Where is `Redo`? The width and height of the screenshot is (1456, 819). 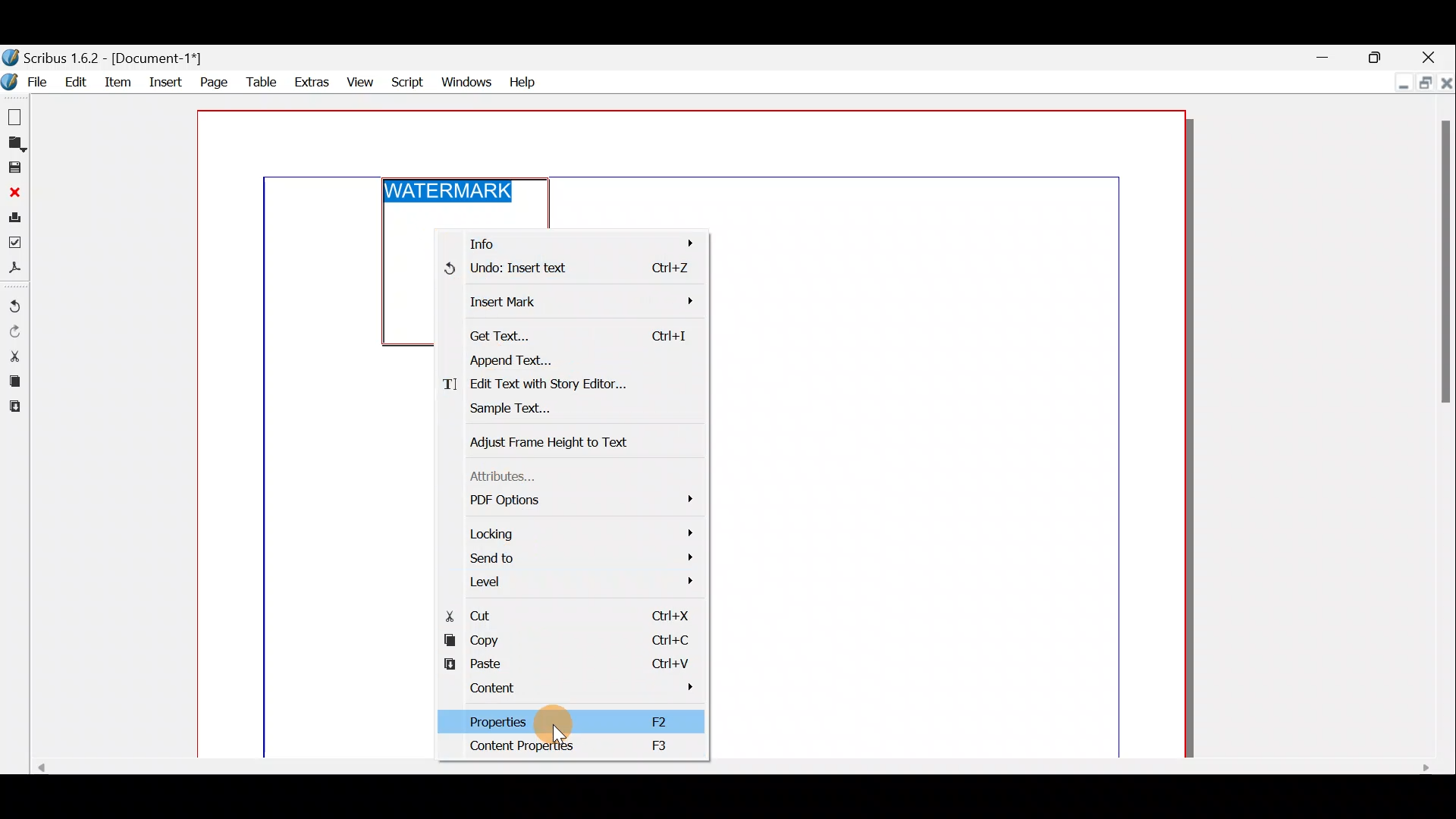 Redo is located at coordinates (14, 332).